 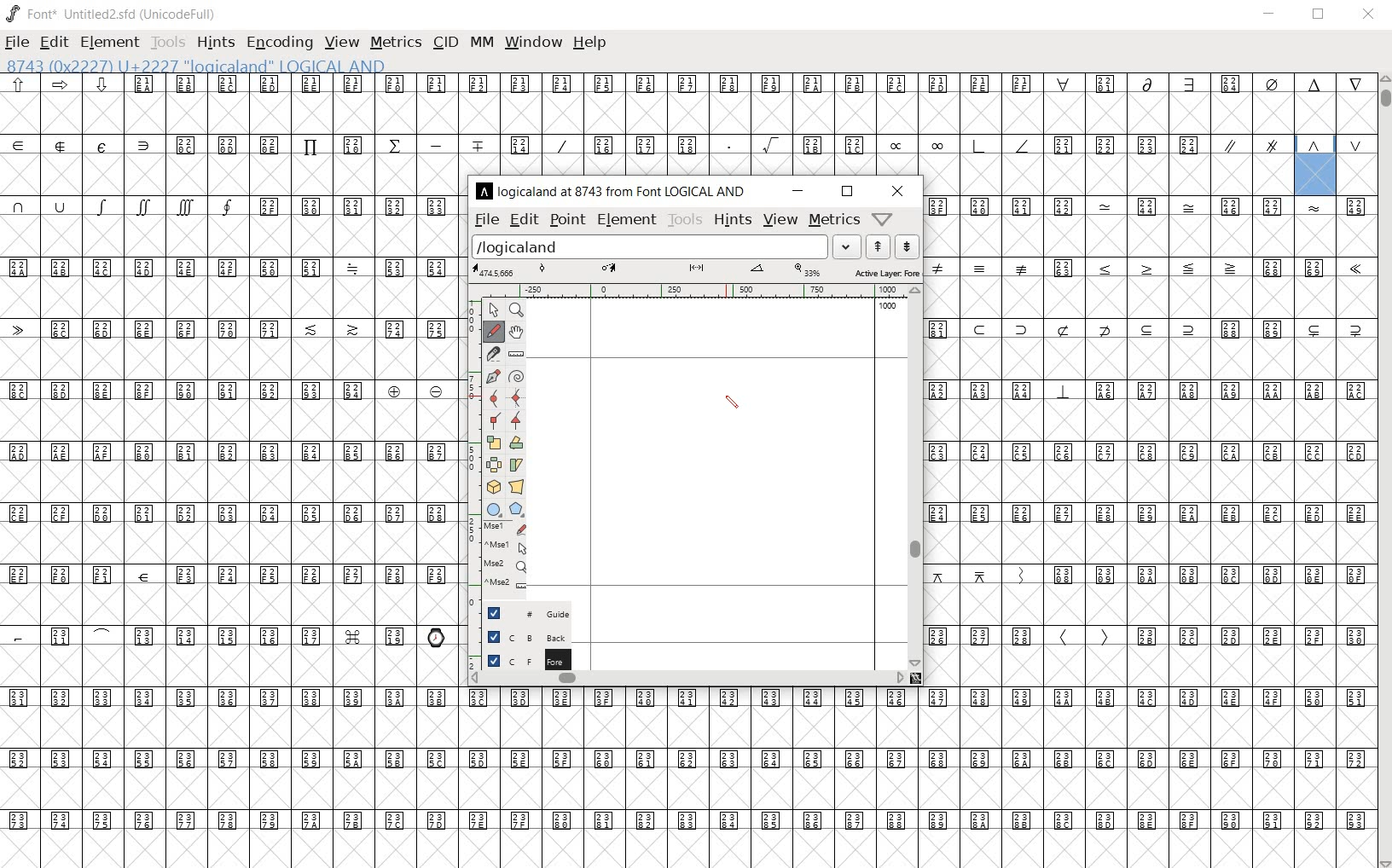 What do you see at coordinates (1383, 471) in the screenshot?
I see `scrollbar` at bounding box center [1383, 471].